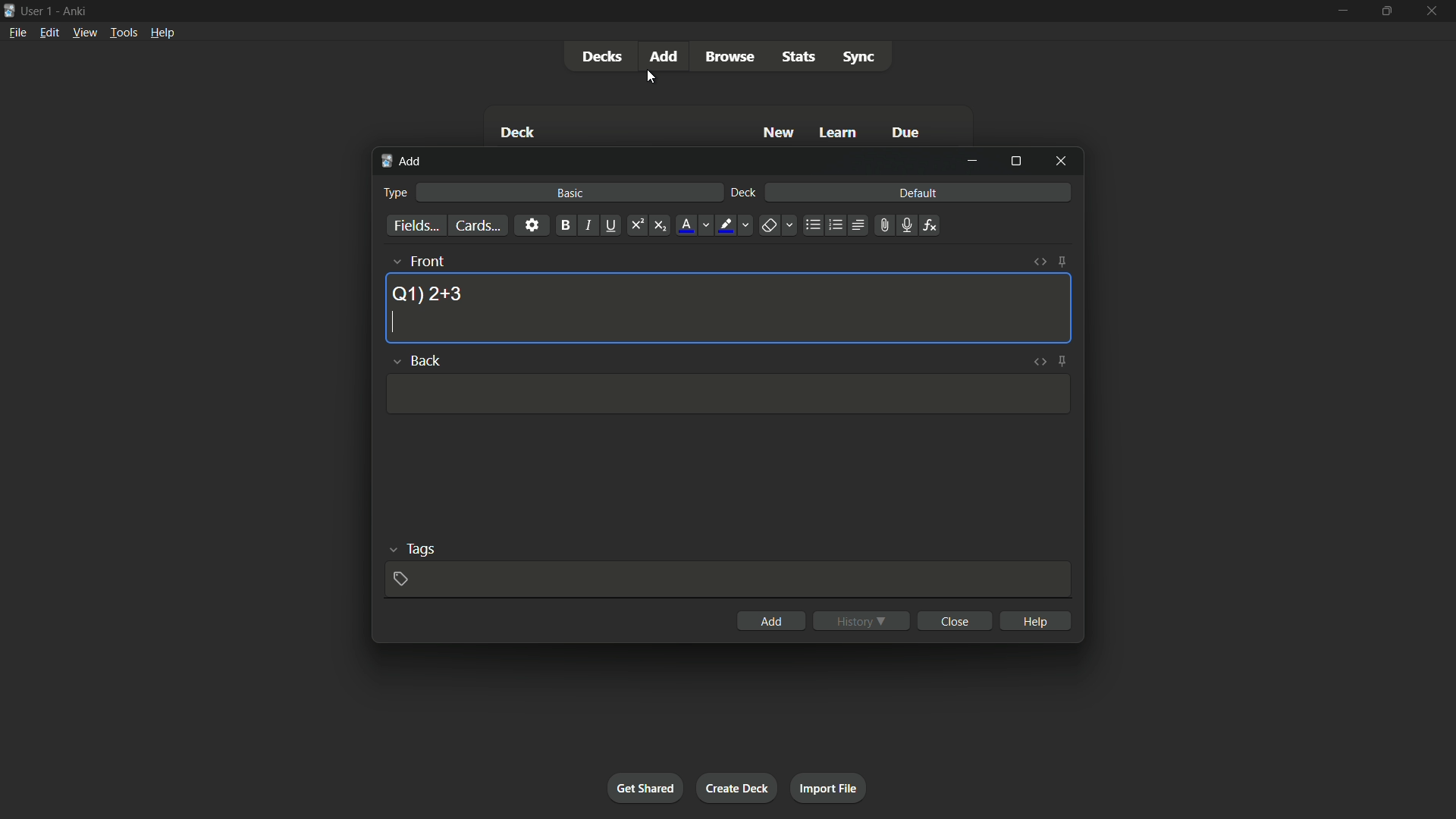 This screenshot has height=819, width=1456. What do you see at coordinates (532, 224) in the screenshot?
I see `settings` at bounding box center [532, 224].